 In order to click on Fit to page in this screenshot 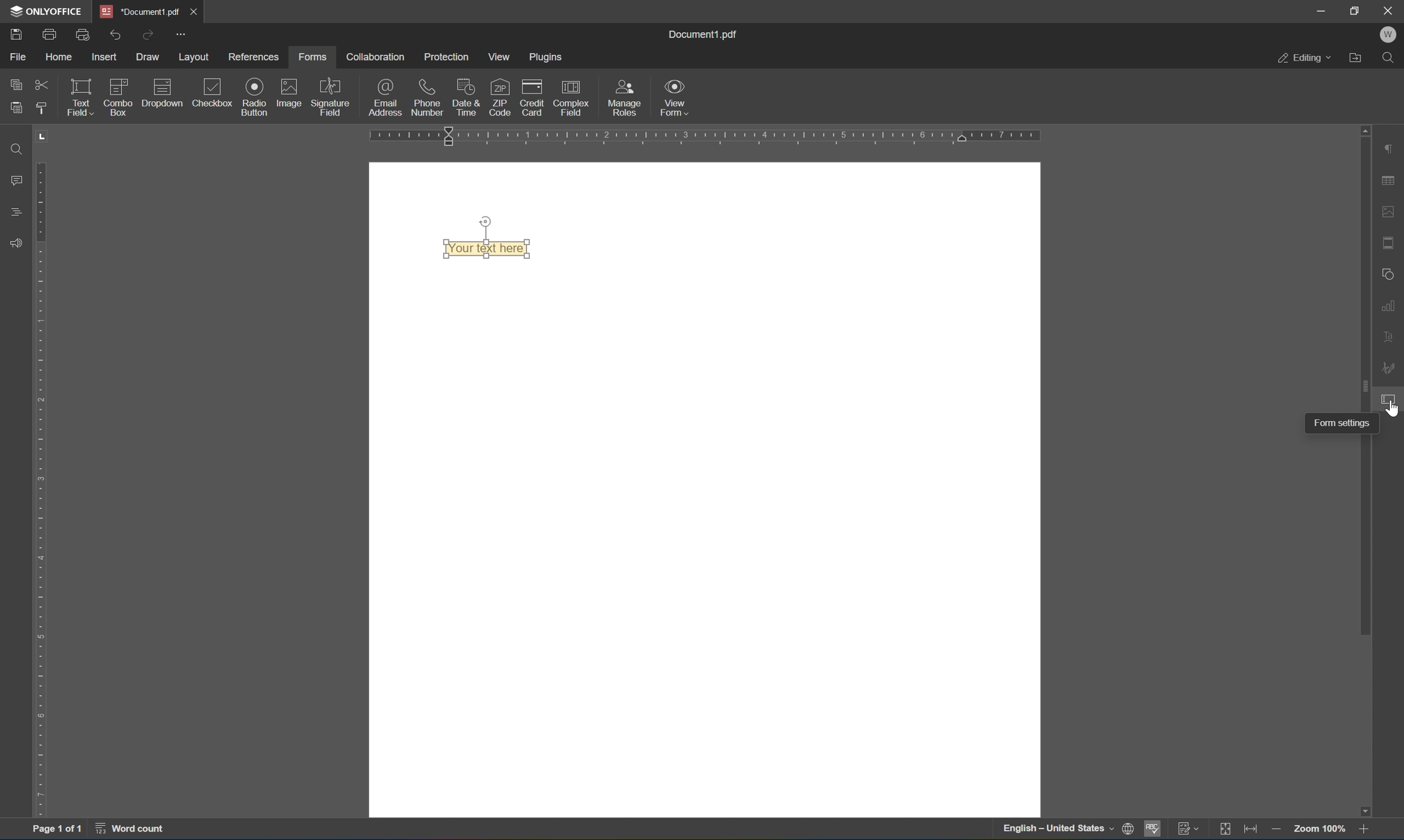, I will do `click(1252, 830)`.